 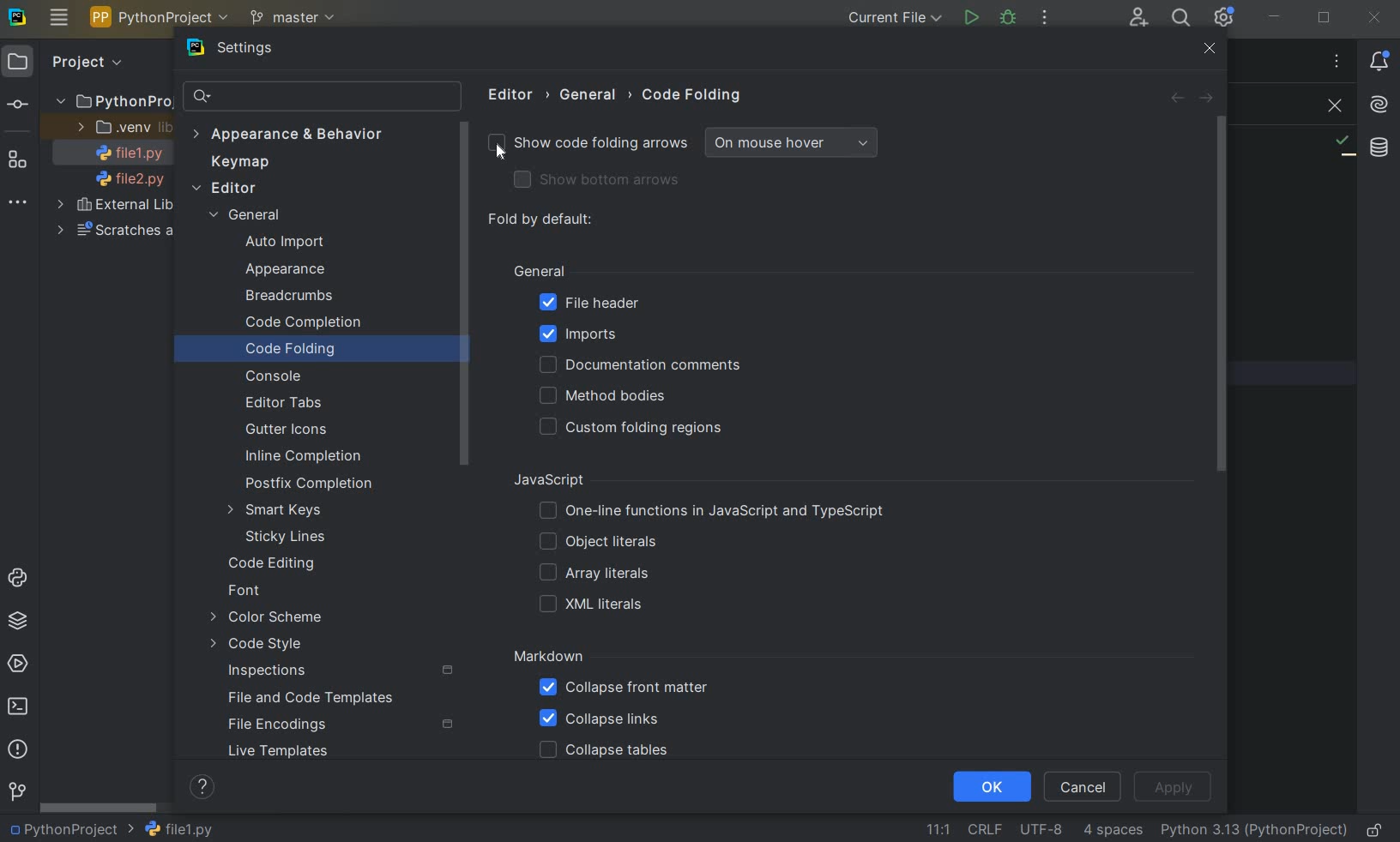 I want to click on SCROLLBAR, so click(x=99, y=809).